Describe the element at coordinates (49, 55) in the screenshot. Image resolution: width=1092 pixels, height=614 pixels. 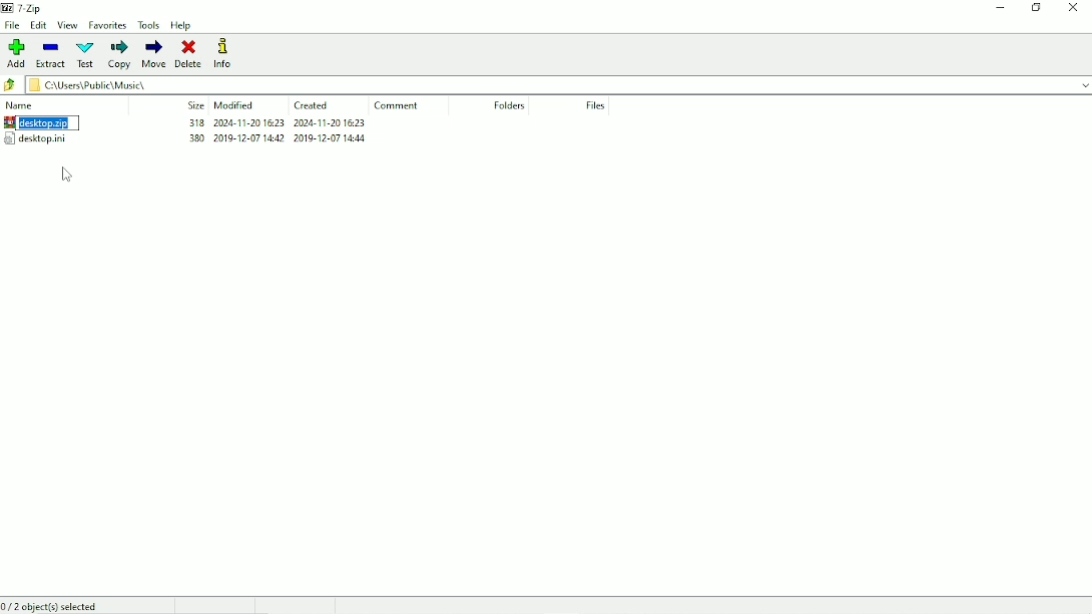
I see `Extract` at that location.